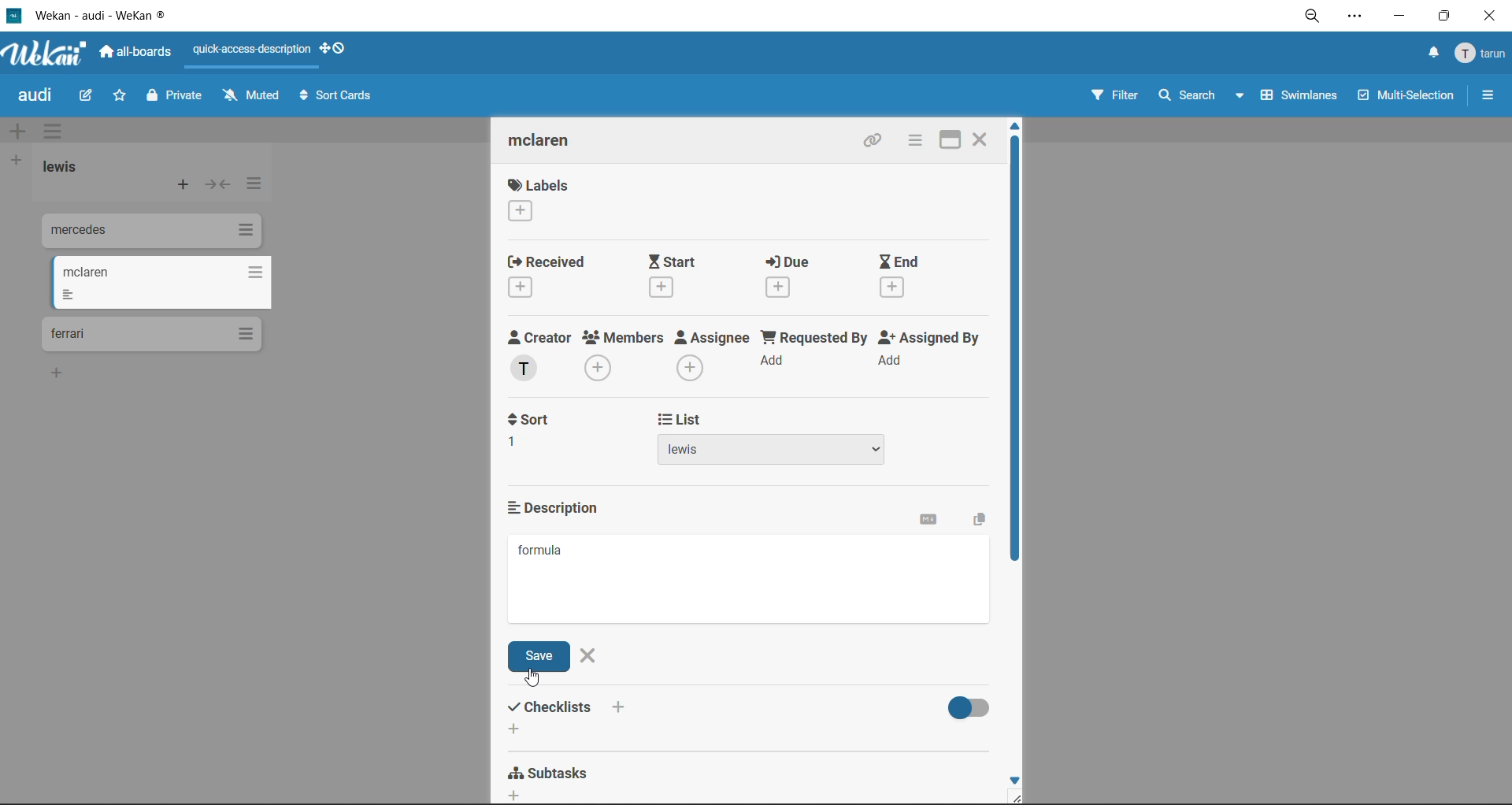 The height and width of the screenshot is (805, 1512). Describe the element at coordinates (1482, 54) in the screenshot. I see `menu` at that location.